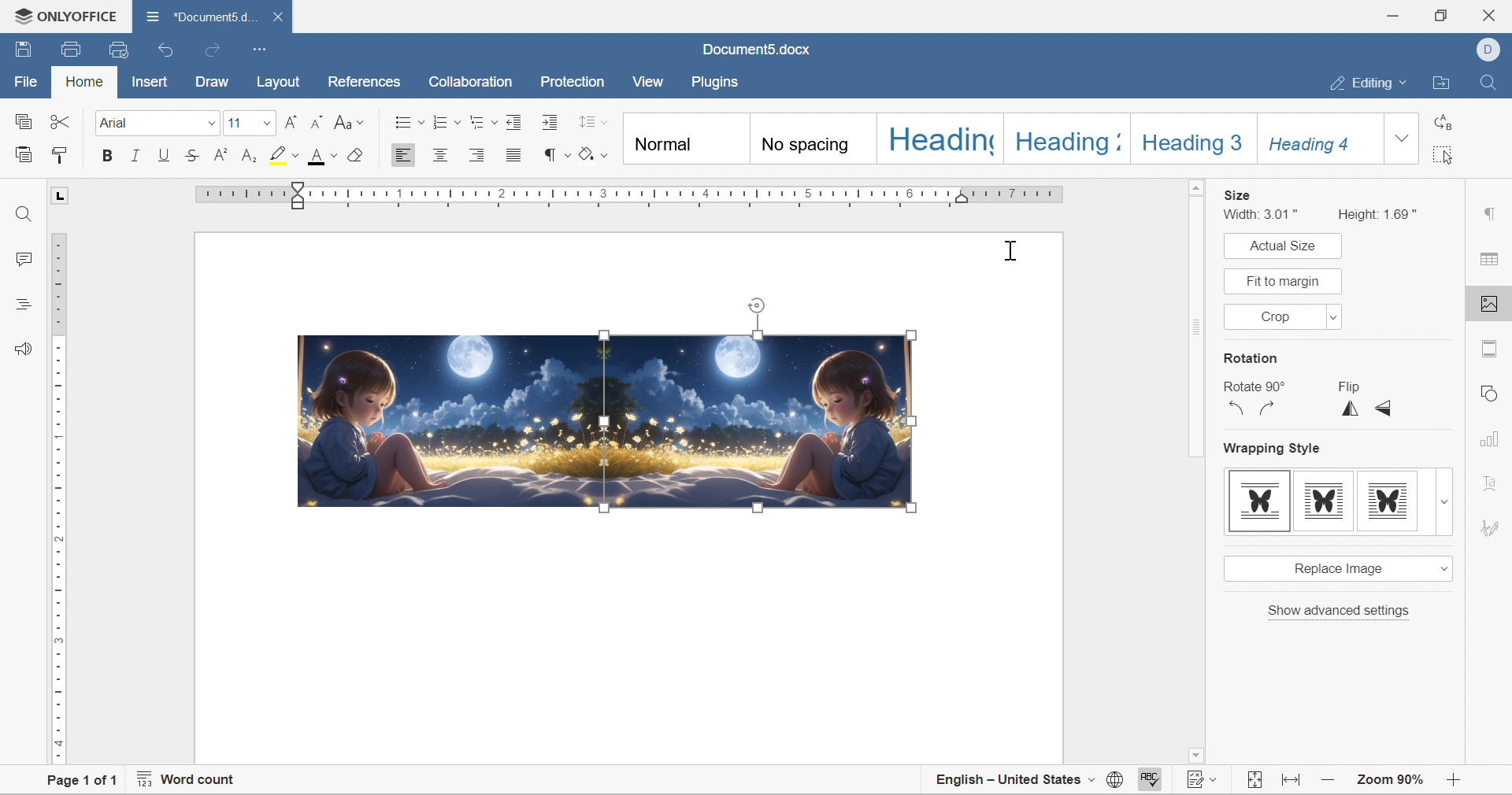 The height and width of the screenshot is (795, 1512). What do you see at coordinates (1329, 781) in the screenshot?
I see `zoom in` at bounding box center [1329, 781].